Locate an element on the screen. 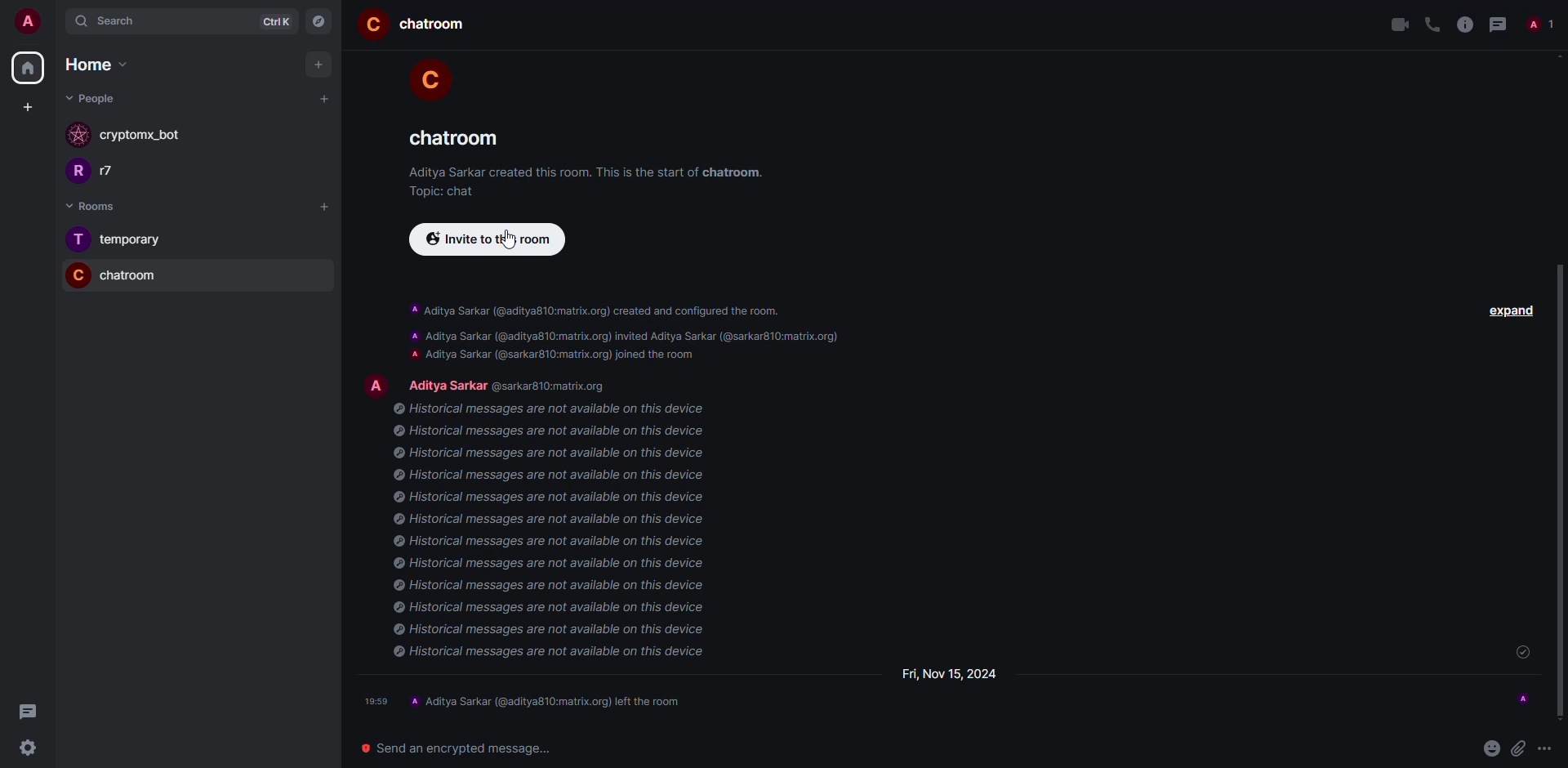 The width and height of the screenshot is (1568, 768). add is located at coordinates (327, 206).